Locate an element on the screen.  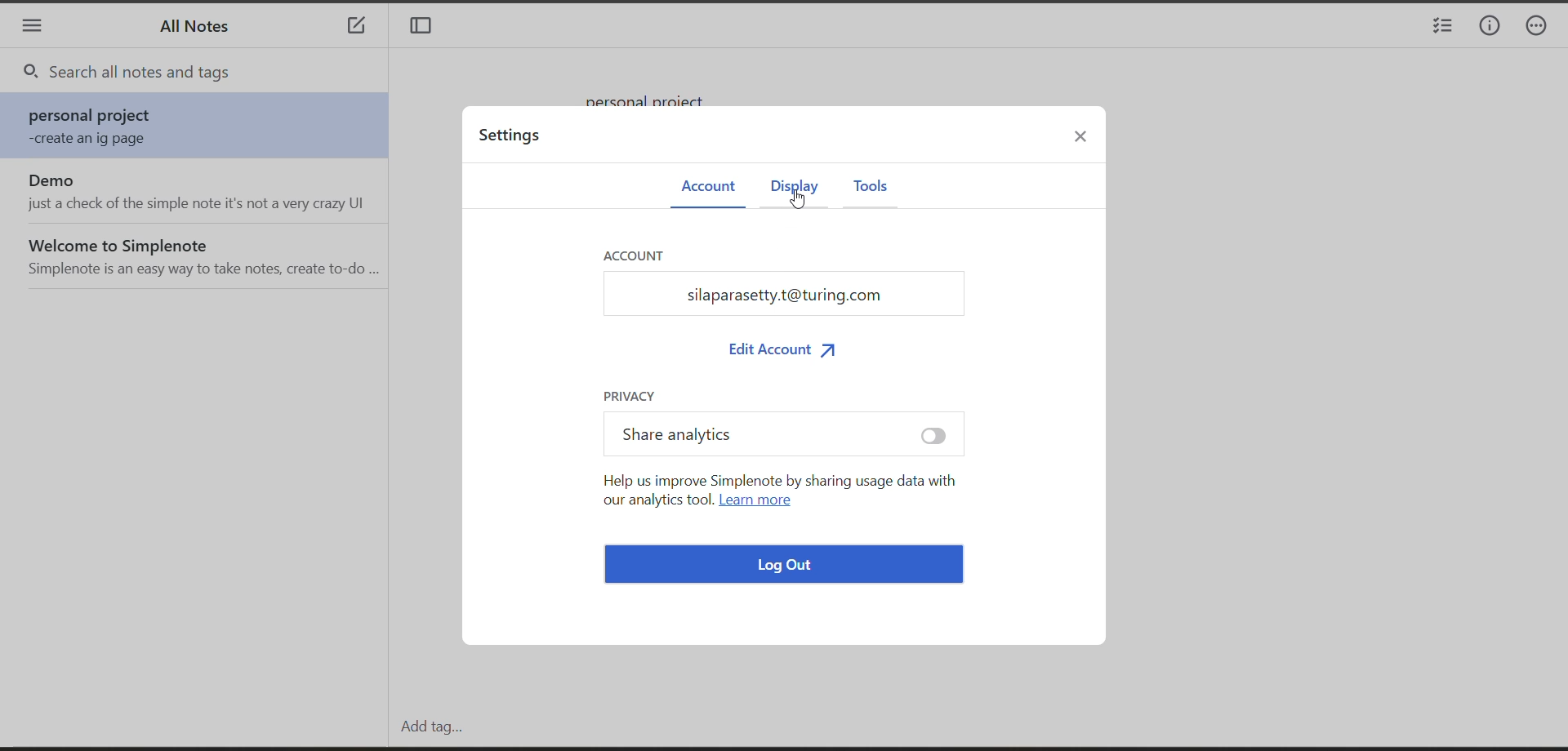
note 1 is located at coordinates (200, 127).